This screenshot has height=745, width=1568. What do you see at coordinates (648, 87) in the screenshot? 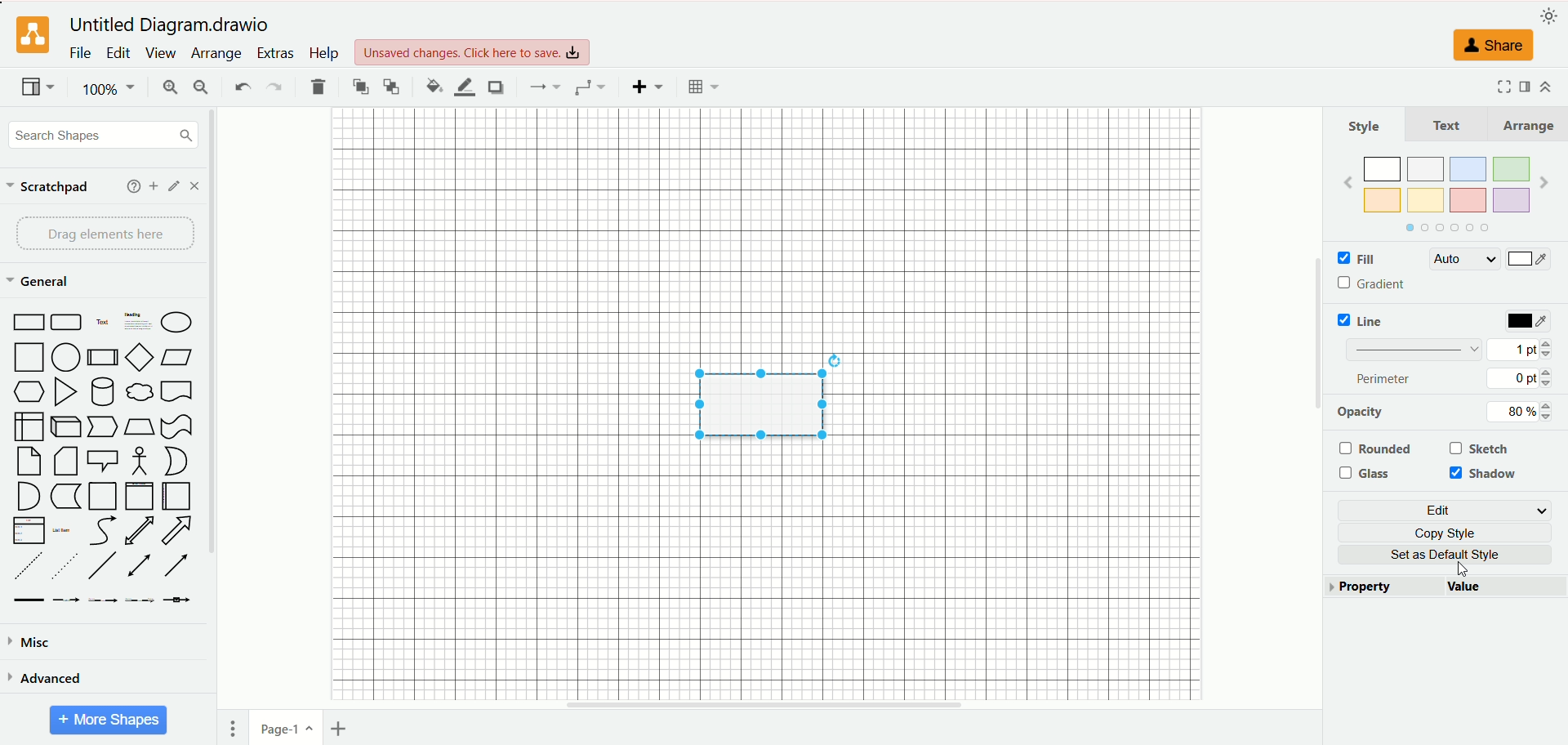
I see `insert` at bounding box center [648, 87].